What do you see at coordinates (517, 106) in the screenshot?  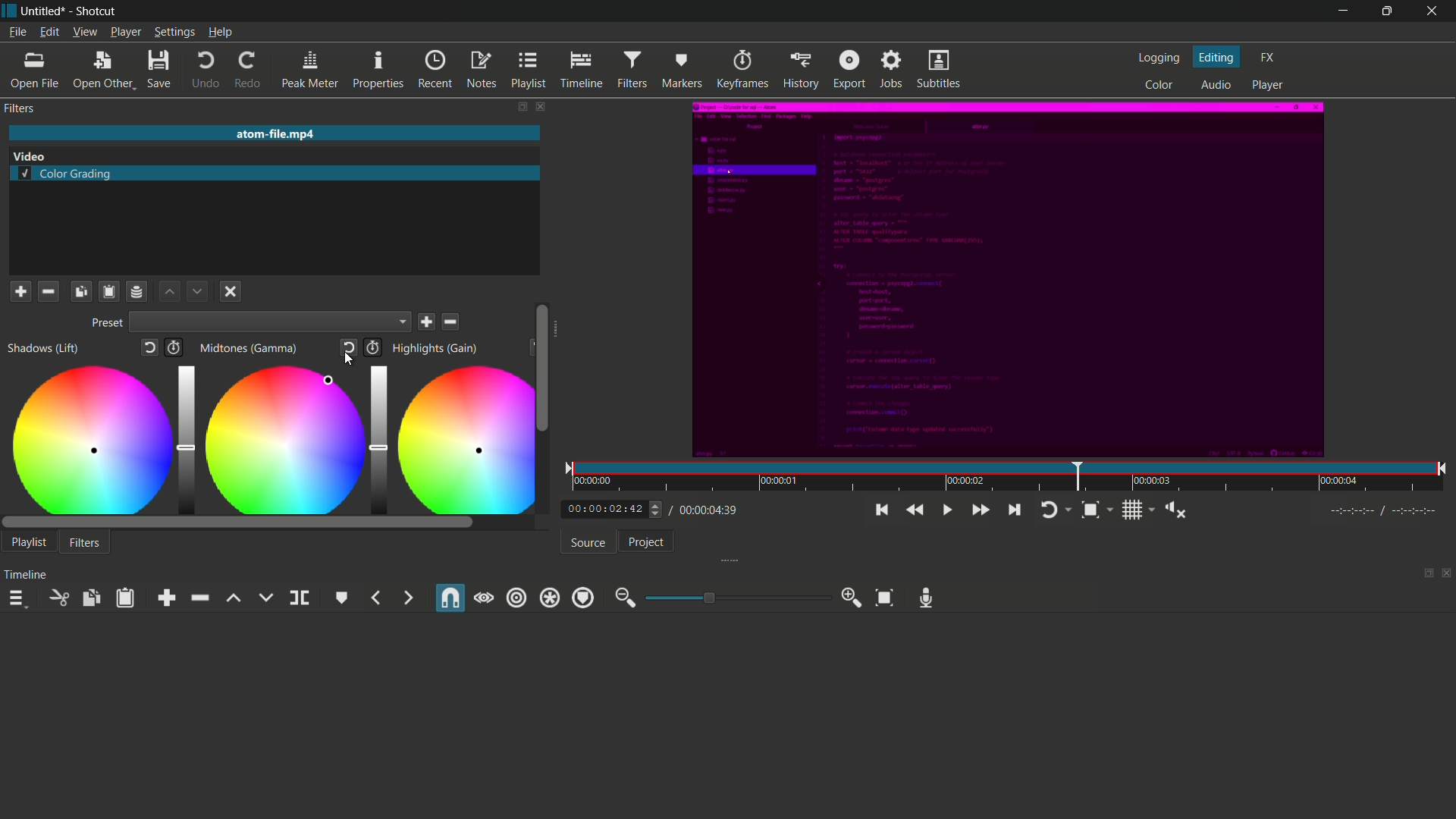 I see `change layout` at bounding box center [517, 106].